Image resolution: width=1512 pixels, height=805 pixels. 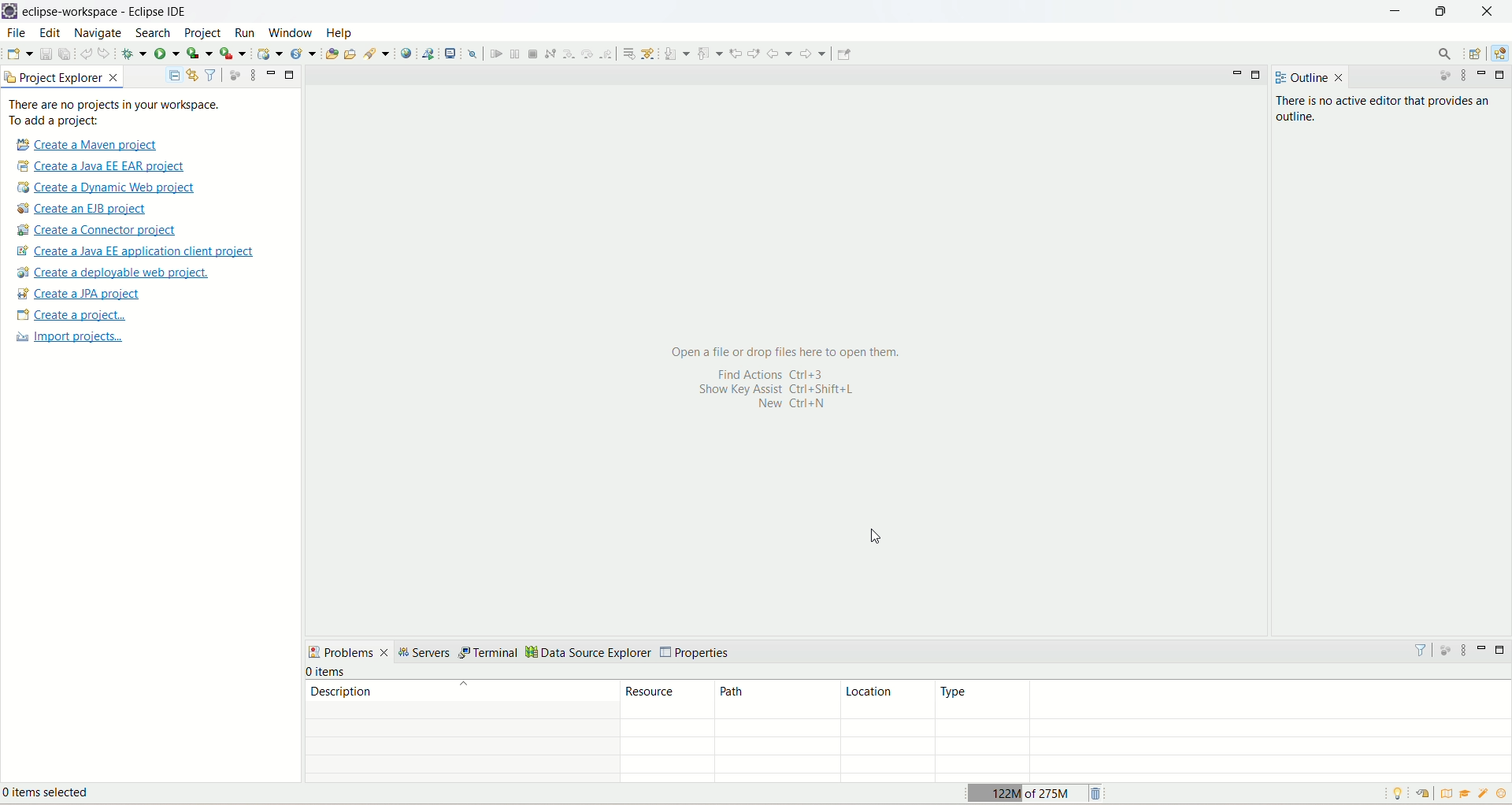 I want to click on open web service, so click(x=406, y=54).